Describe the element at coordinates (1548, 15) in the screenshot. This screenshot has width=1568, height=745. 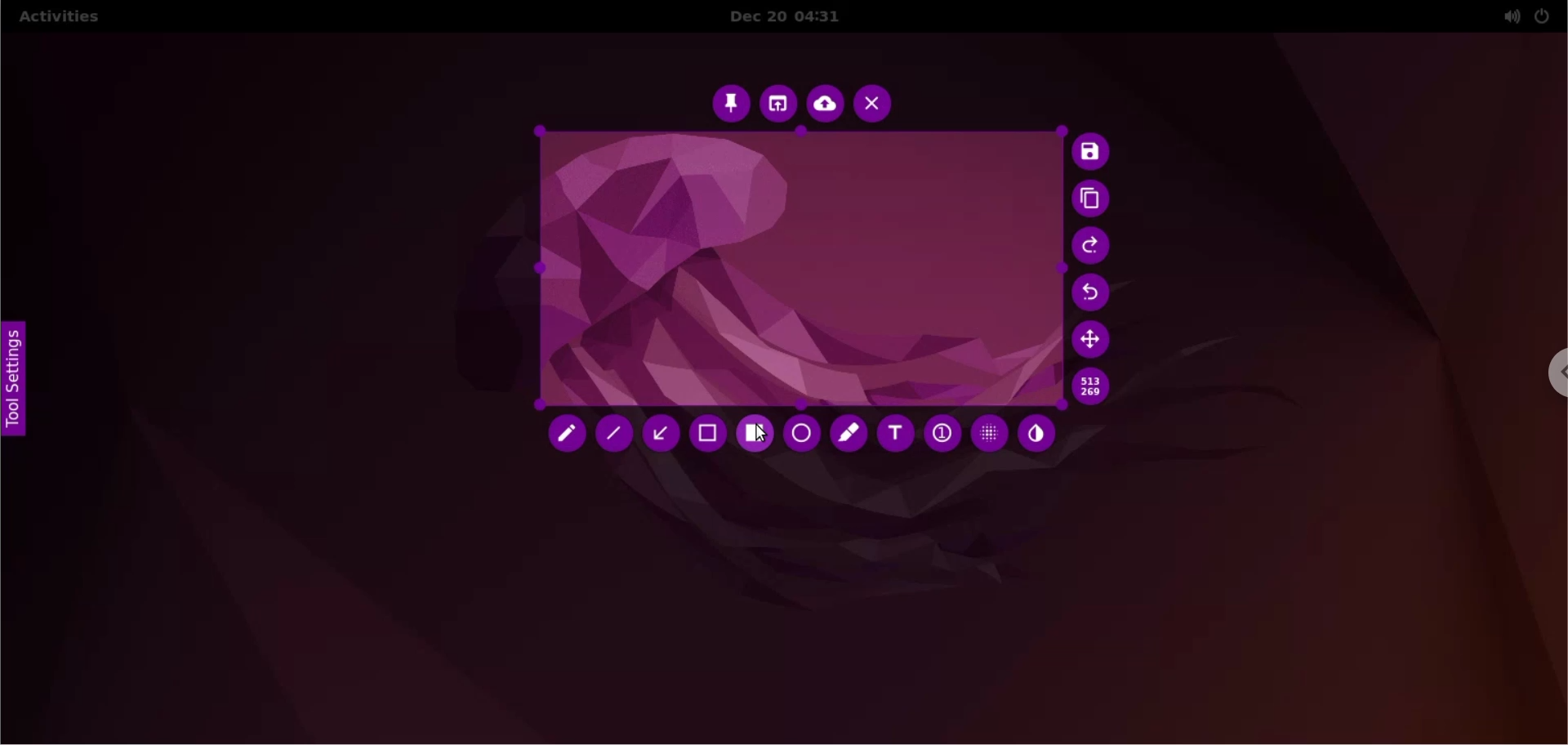
I see `power setting options` at that location.